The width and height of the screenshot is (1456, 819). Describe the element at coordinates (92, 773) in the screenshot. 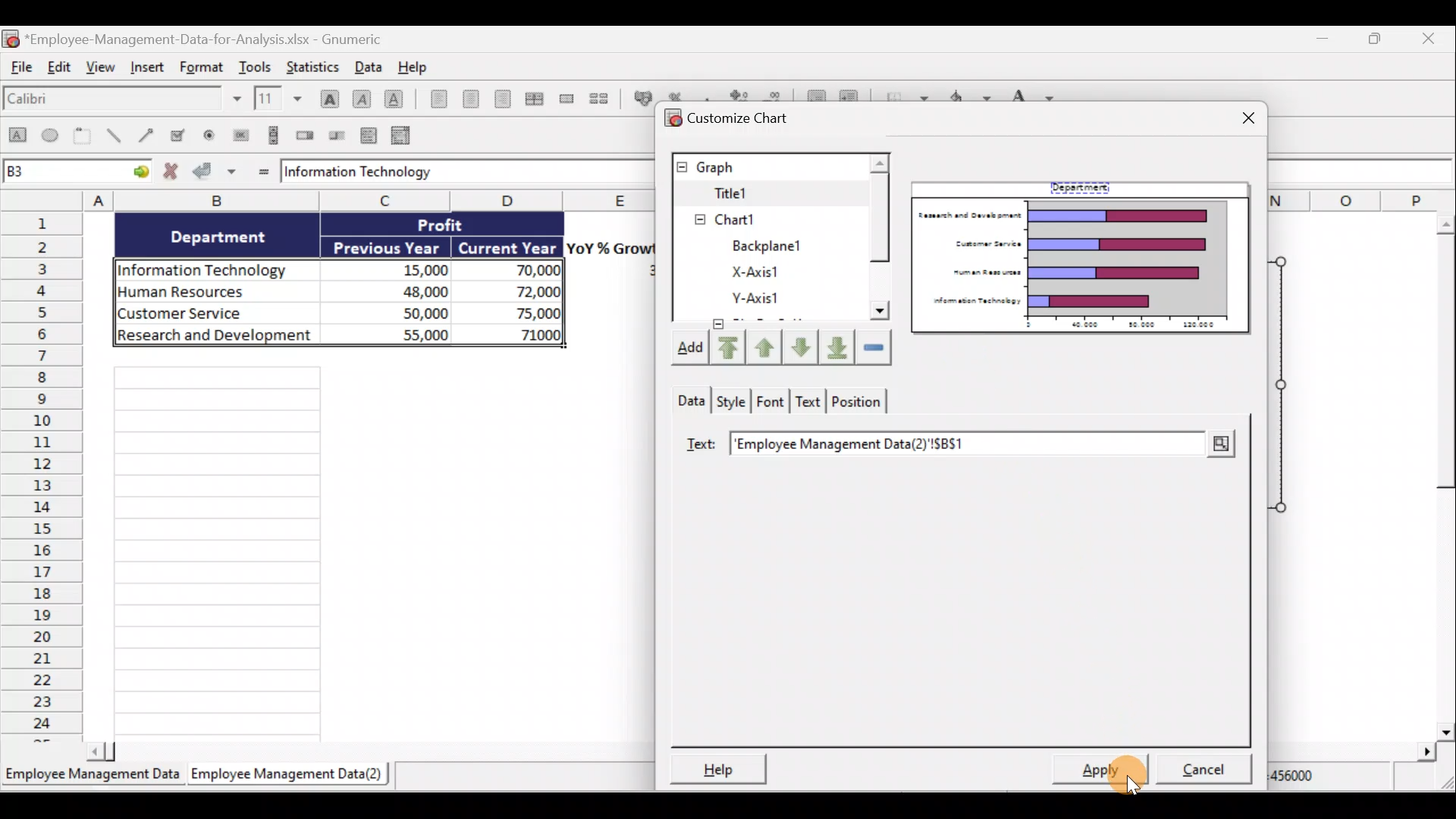

I see `Employee Management Data` at that location.